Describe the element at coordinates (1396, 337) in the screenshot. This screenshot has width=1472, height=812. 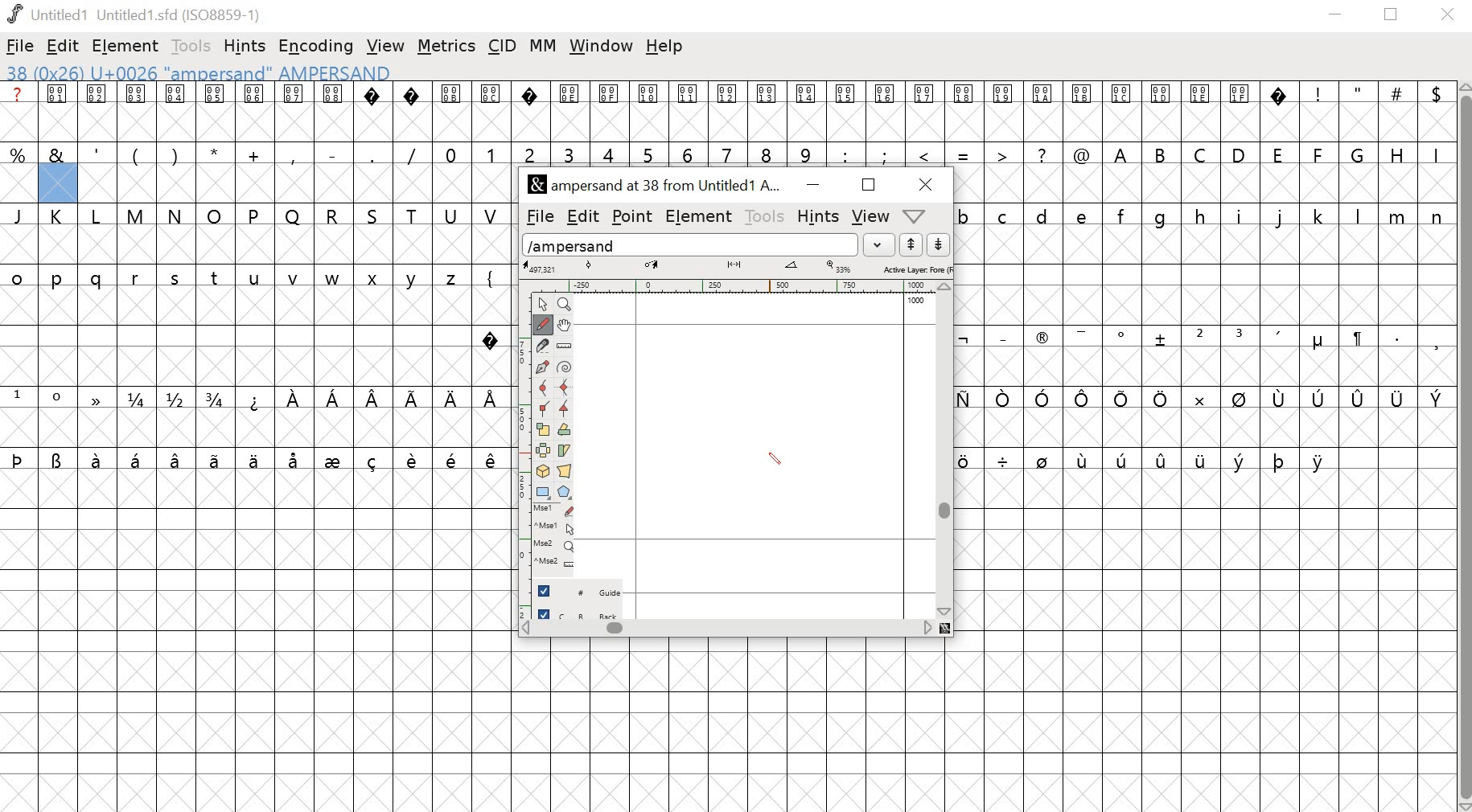
I see `.` at that location.